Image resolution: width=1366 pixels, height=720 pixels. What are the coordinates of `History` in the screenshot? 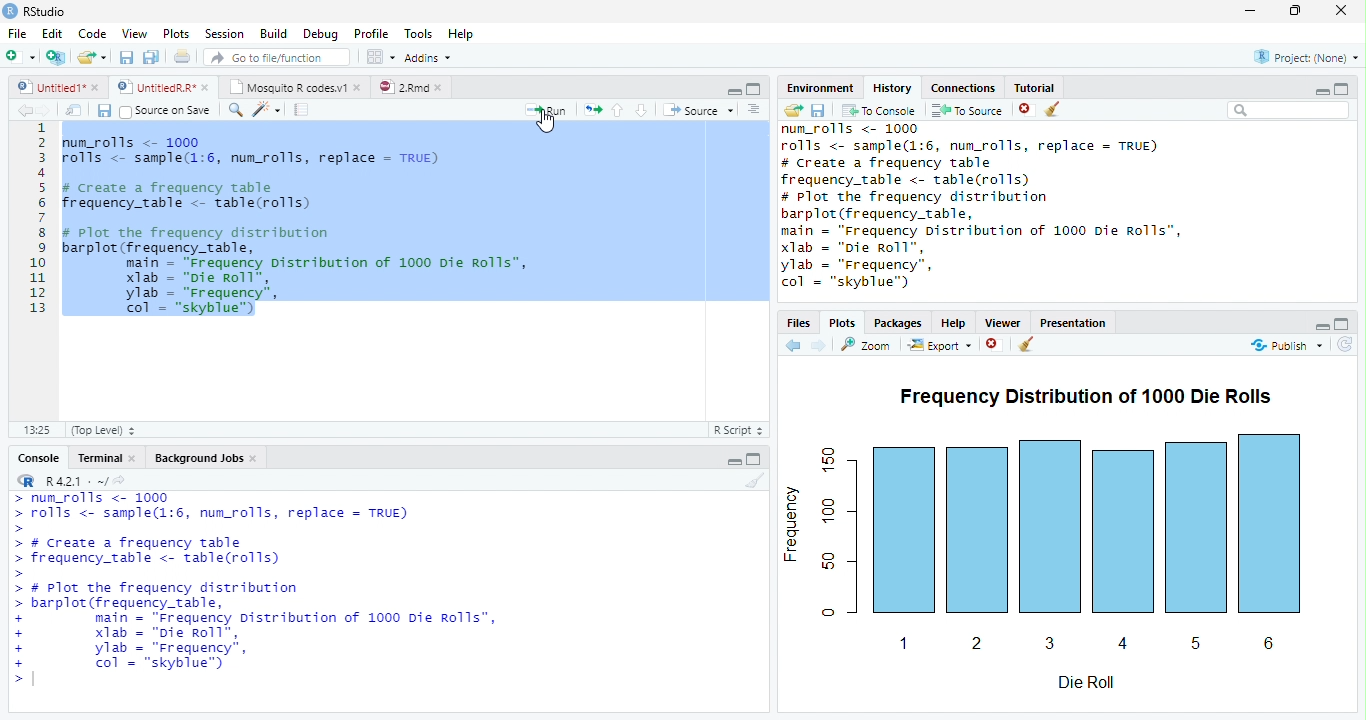 It's located at (893, 86).